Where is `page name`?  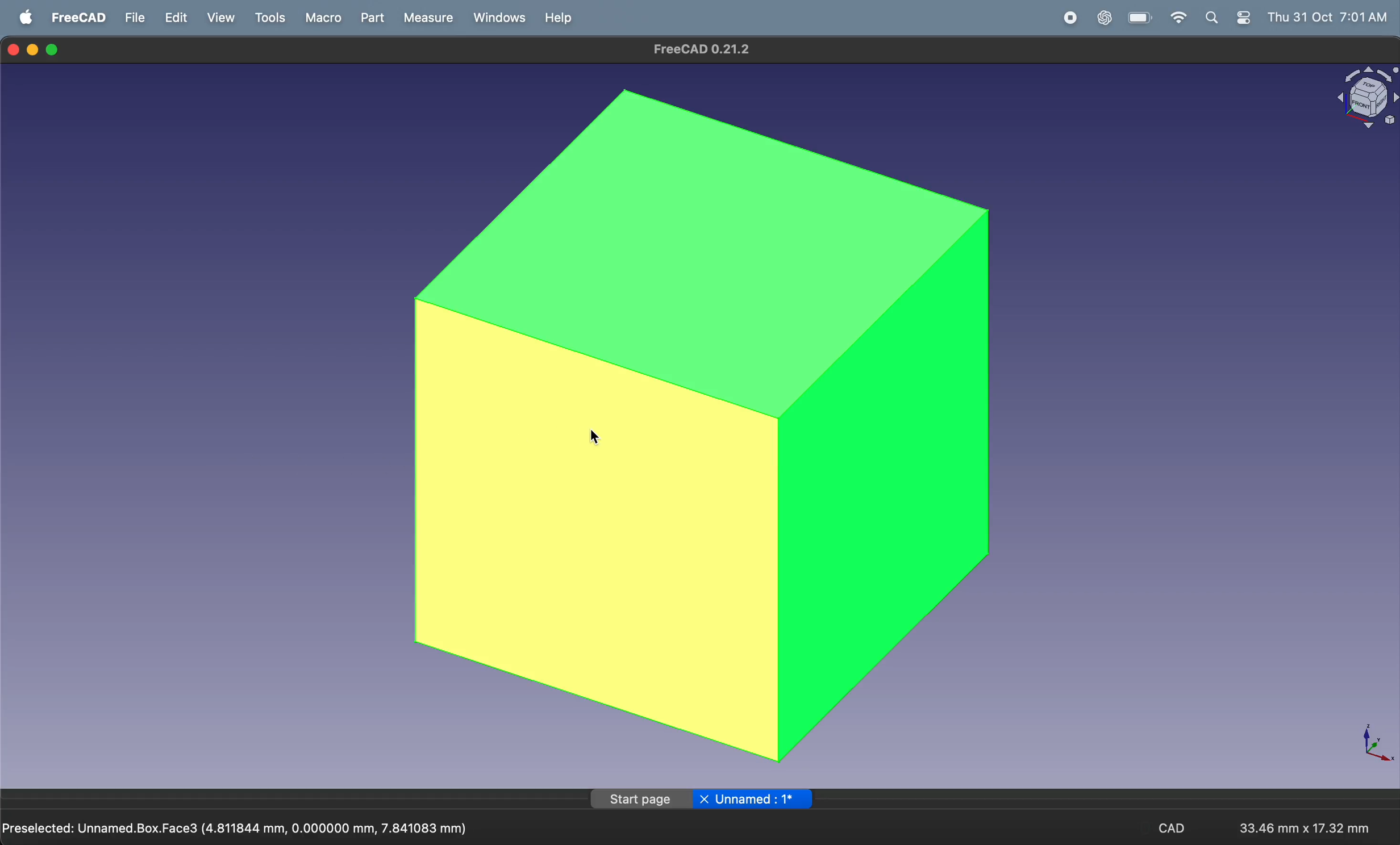
page name is located at coordinates (699, 799).